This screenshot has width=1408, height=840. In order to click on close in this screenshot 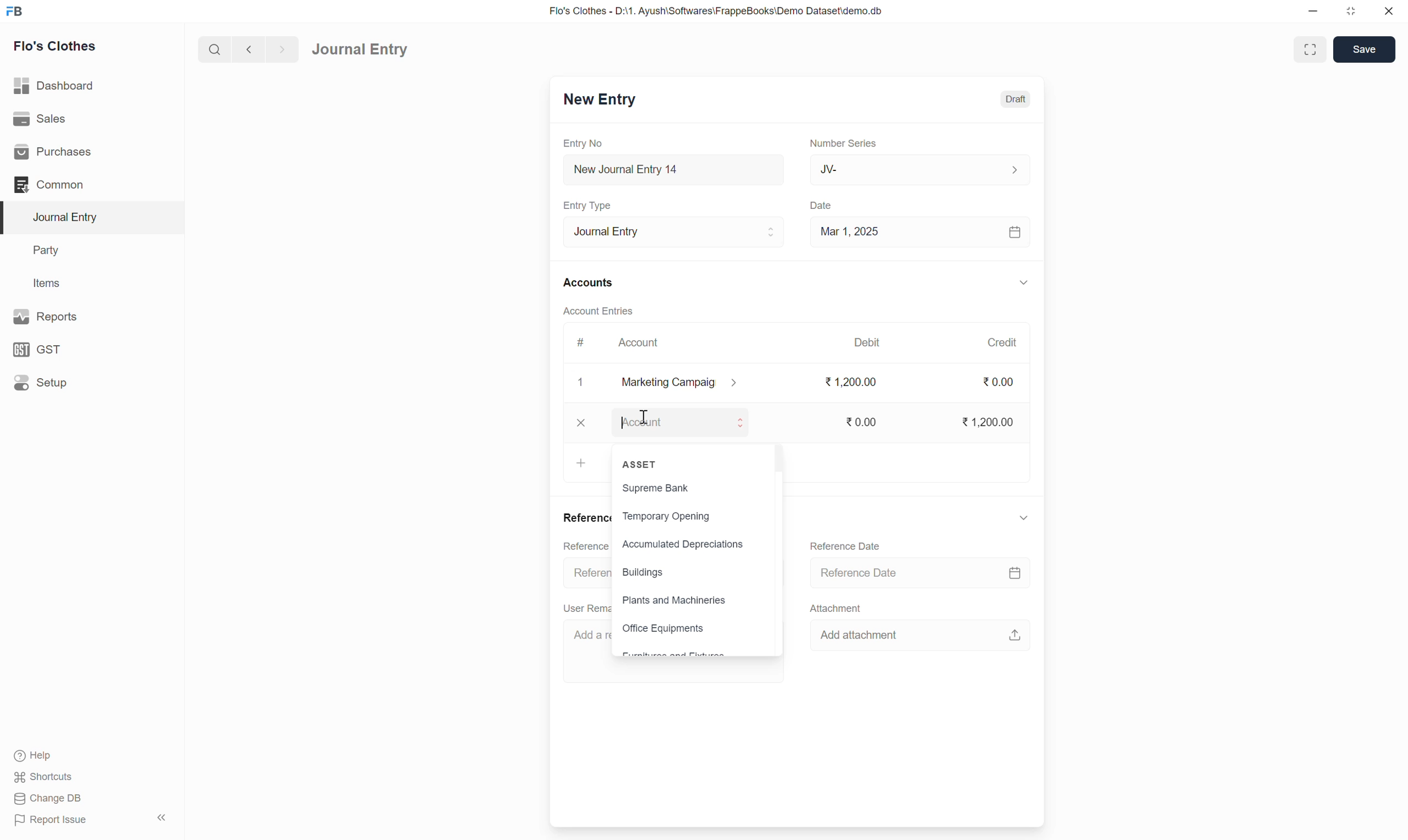, I will do `click(1389, 11)`.